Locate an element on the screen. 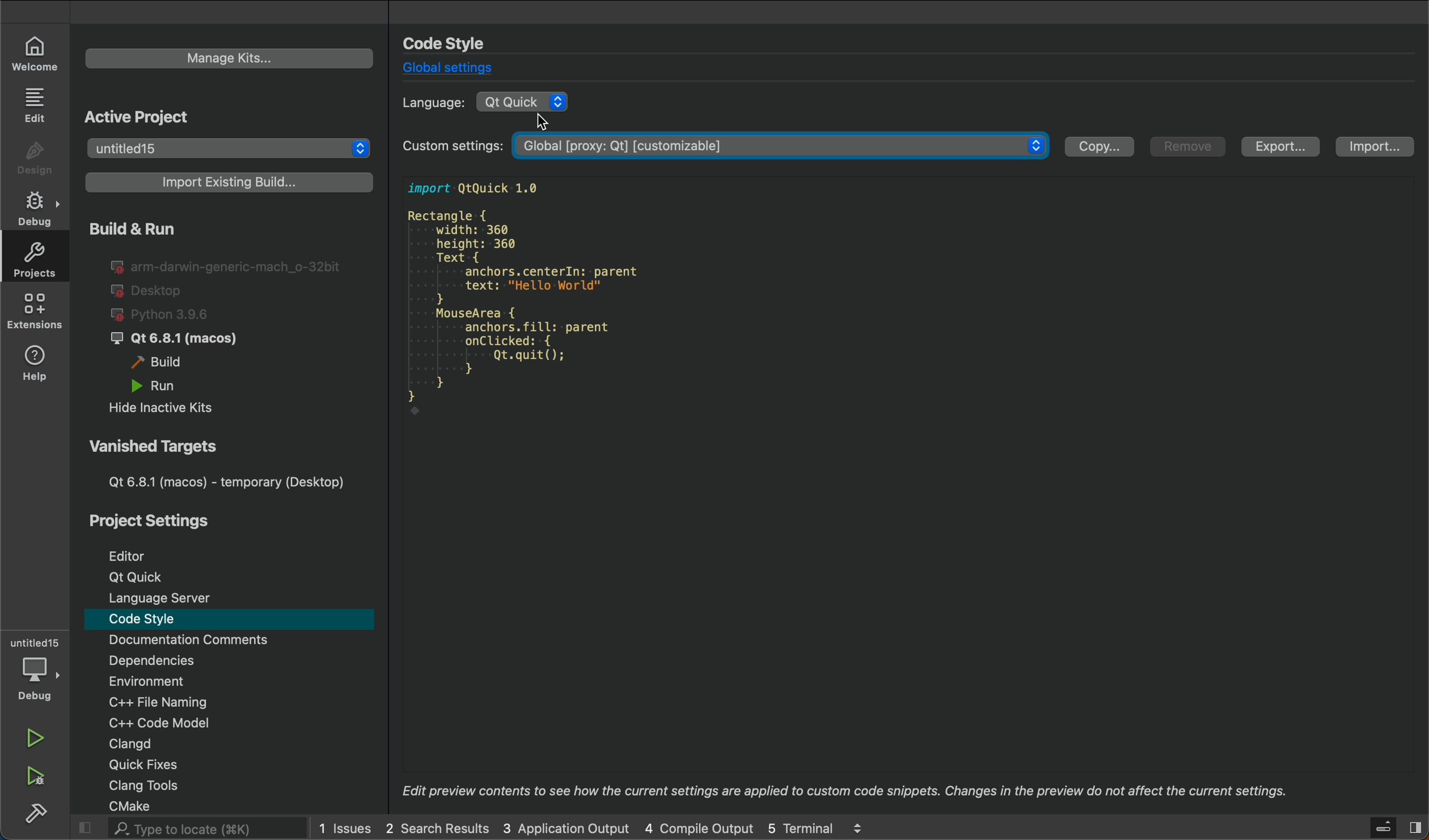  active is located at coordinates (142, 115).